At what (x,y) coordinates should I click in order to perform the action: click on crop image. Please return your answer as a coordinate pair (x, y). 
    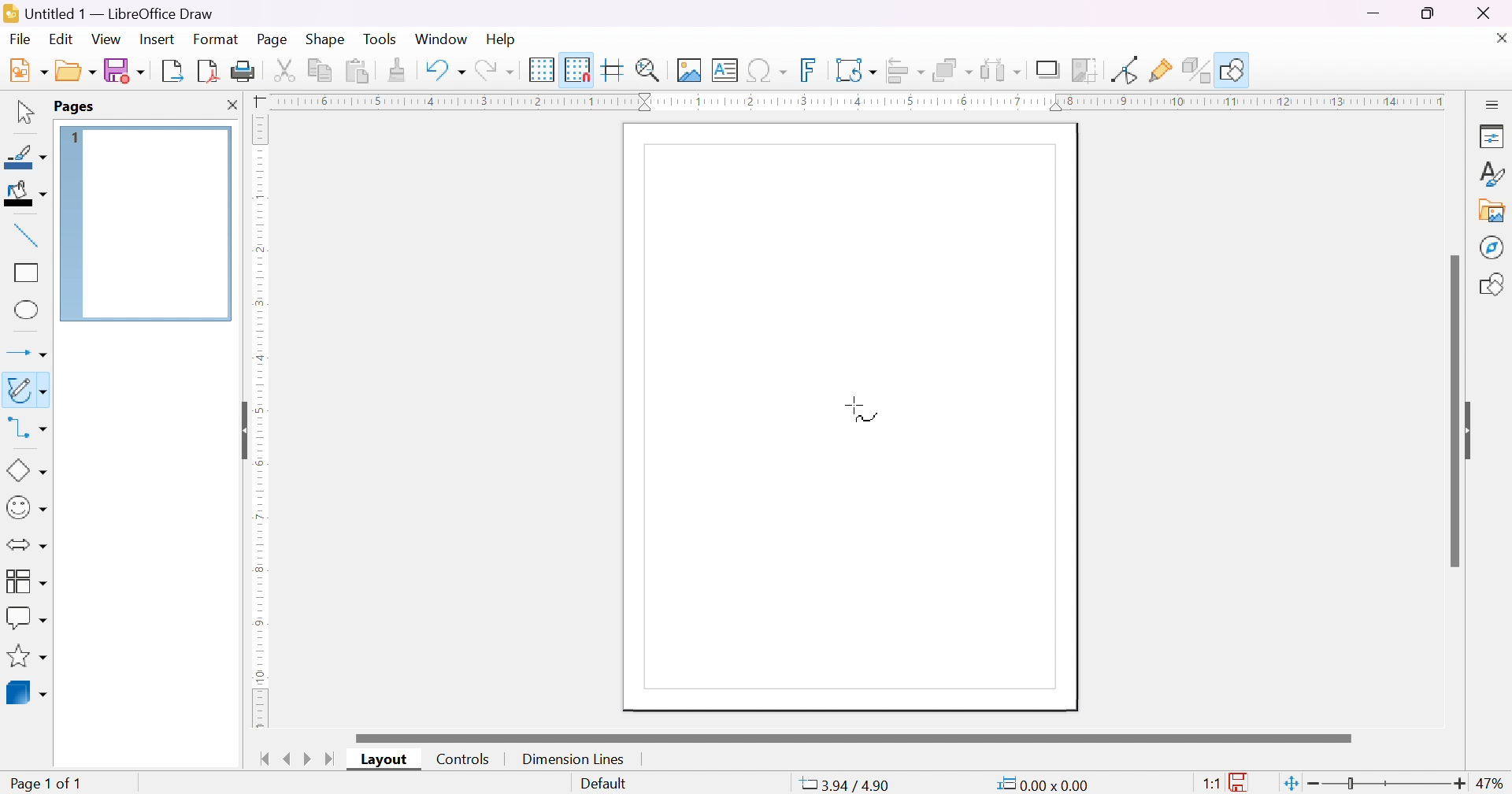
    Looking at the image, I should click on (1084, 70).